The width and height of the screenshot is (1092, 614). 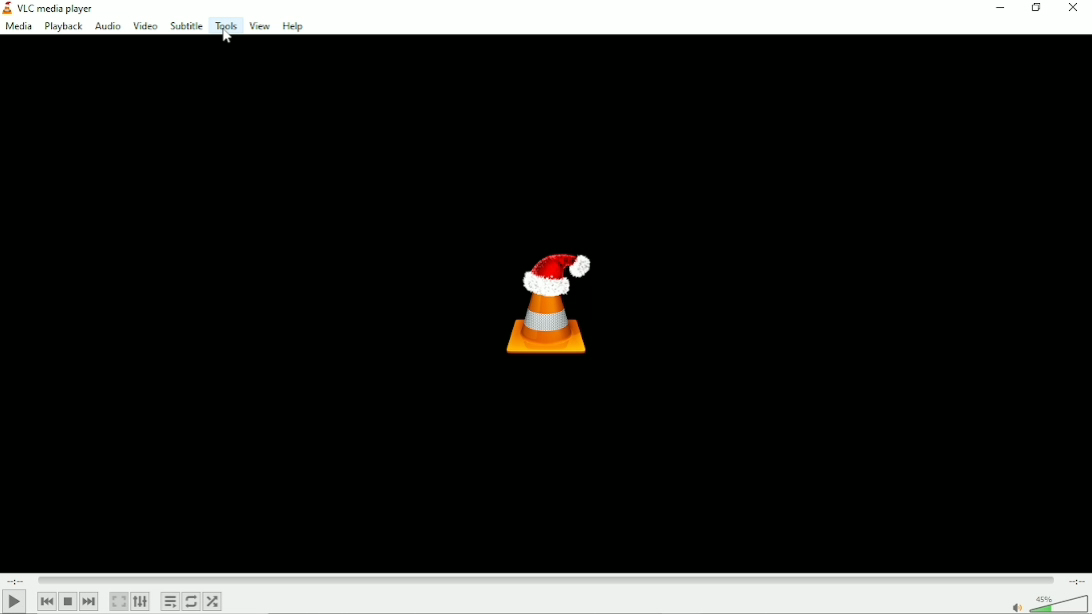 I want to click on Minimize, so click(x=999, y=9).